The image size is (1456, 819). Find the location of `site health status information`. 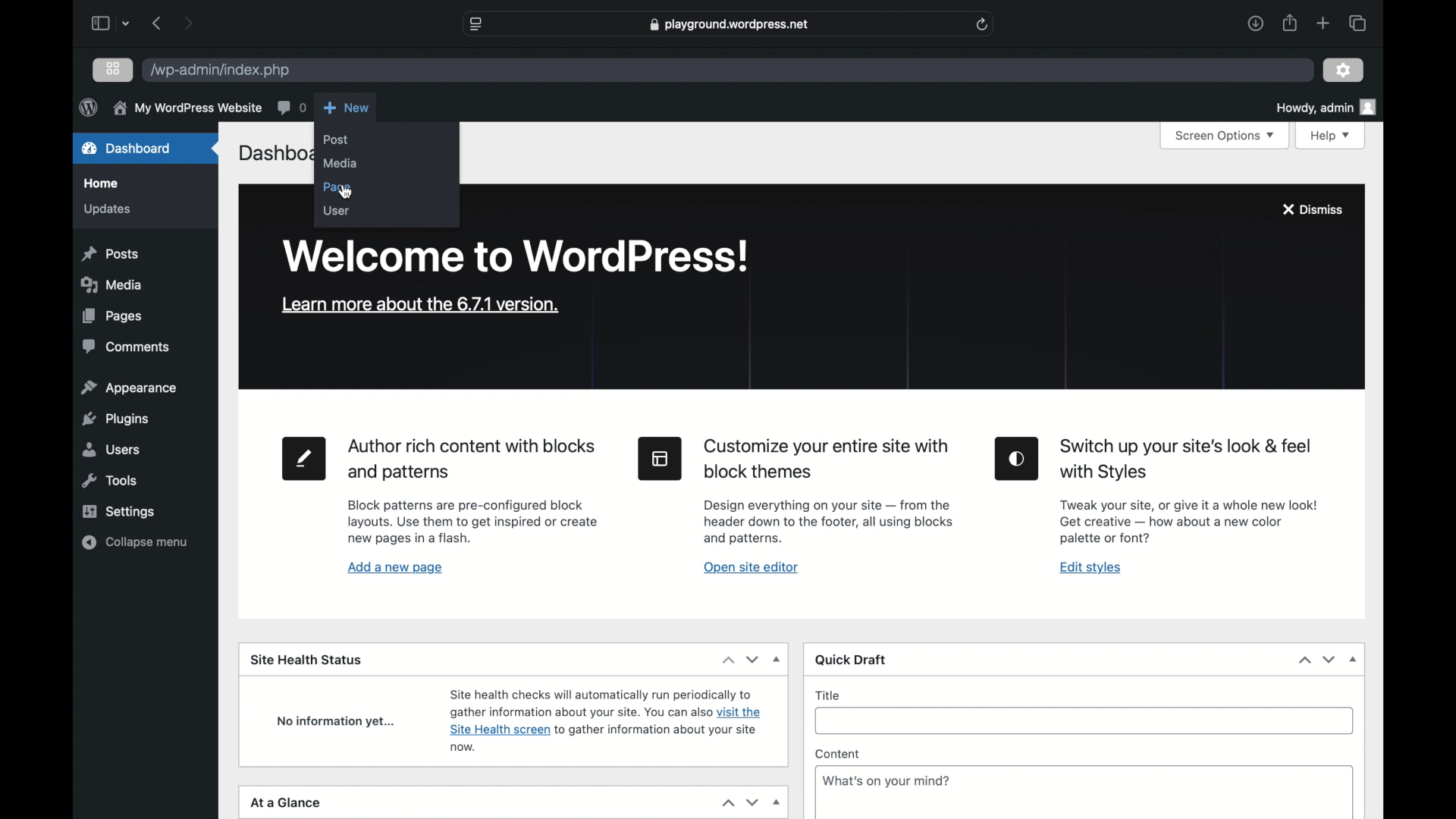

site health status information is located at coordinates (606, 720).